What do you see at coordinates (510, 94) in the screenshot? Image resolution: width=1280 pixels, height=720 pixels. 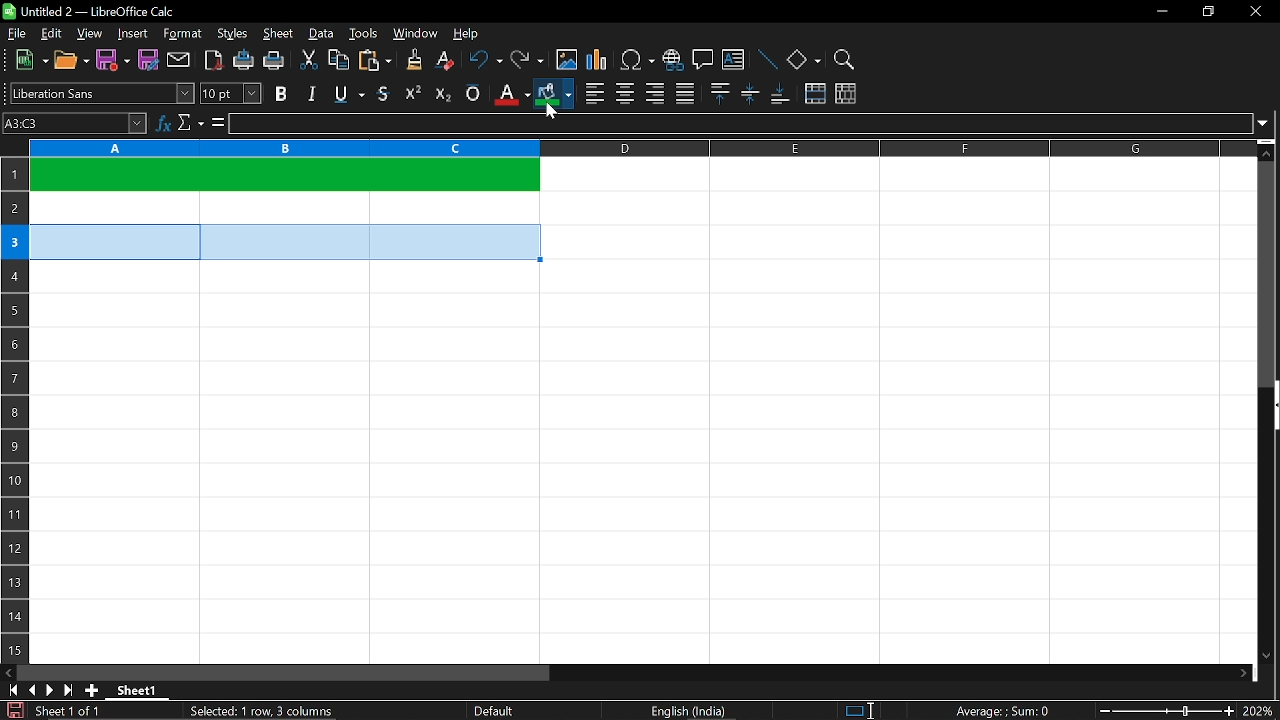 I see `text color` at bounding box center [510, 94].